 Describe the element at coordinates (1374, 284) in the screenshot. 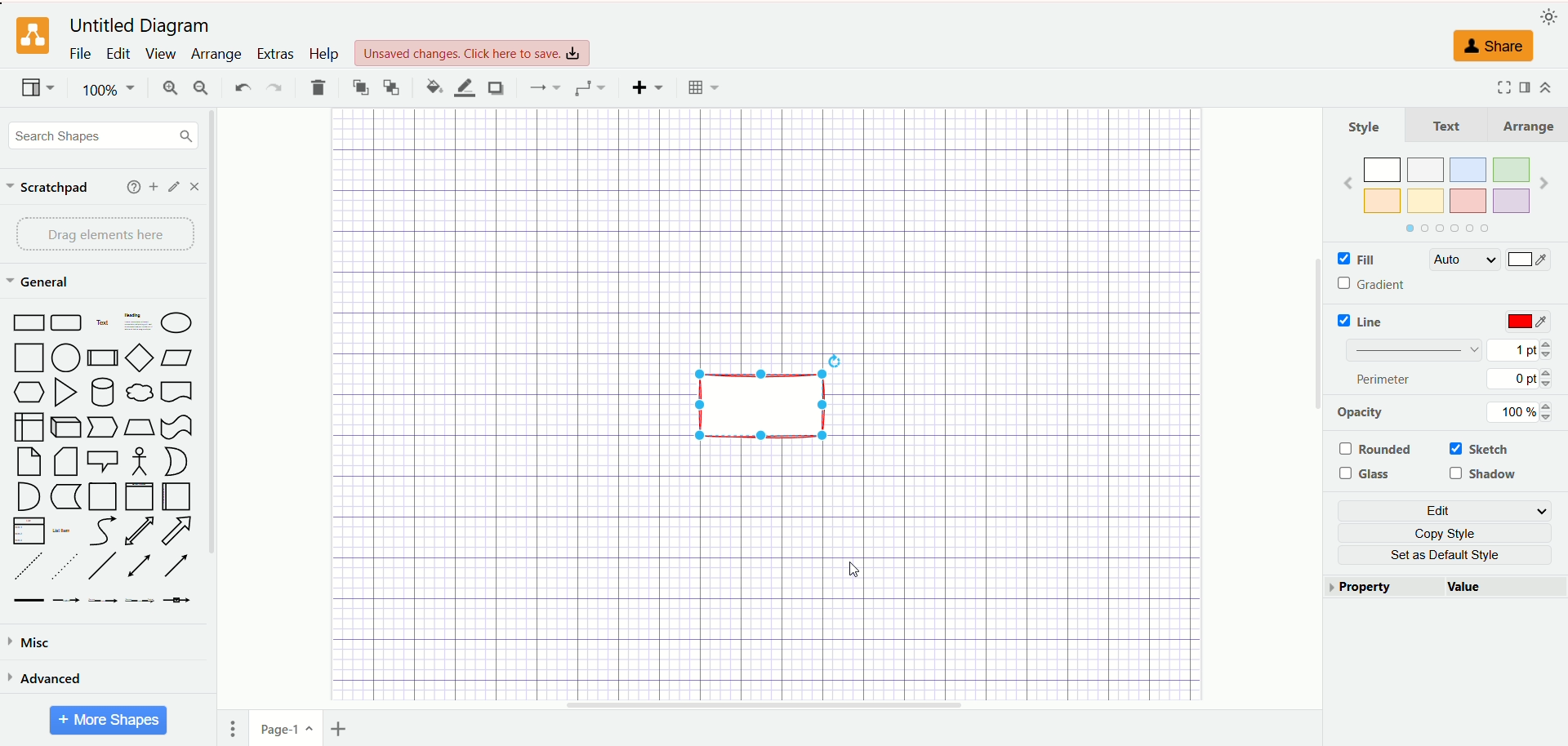

I see `gradient` at that location.